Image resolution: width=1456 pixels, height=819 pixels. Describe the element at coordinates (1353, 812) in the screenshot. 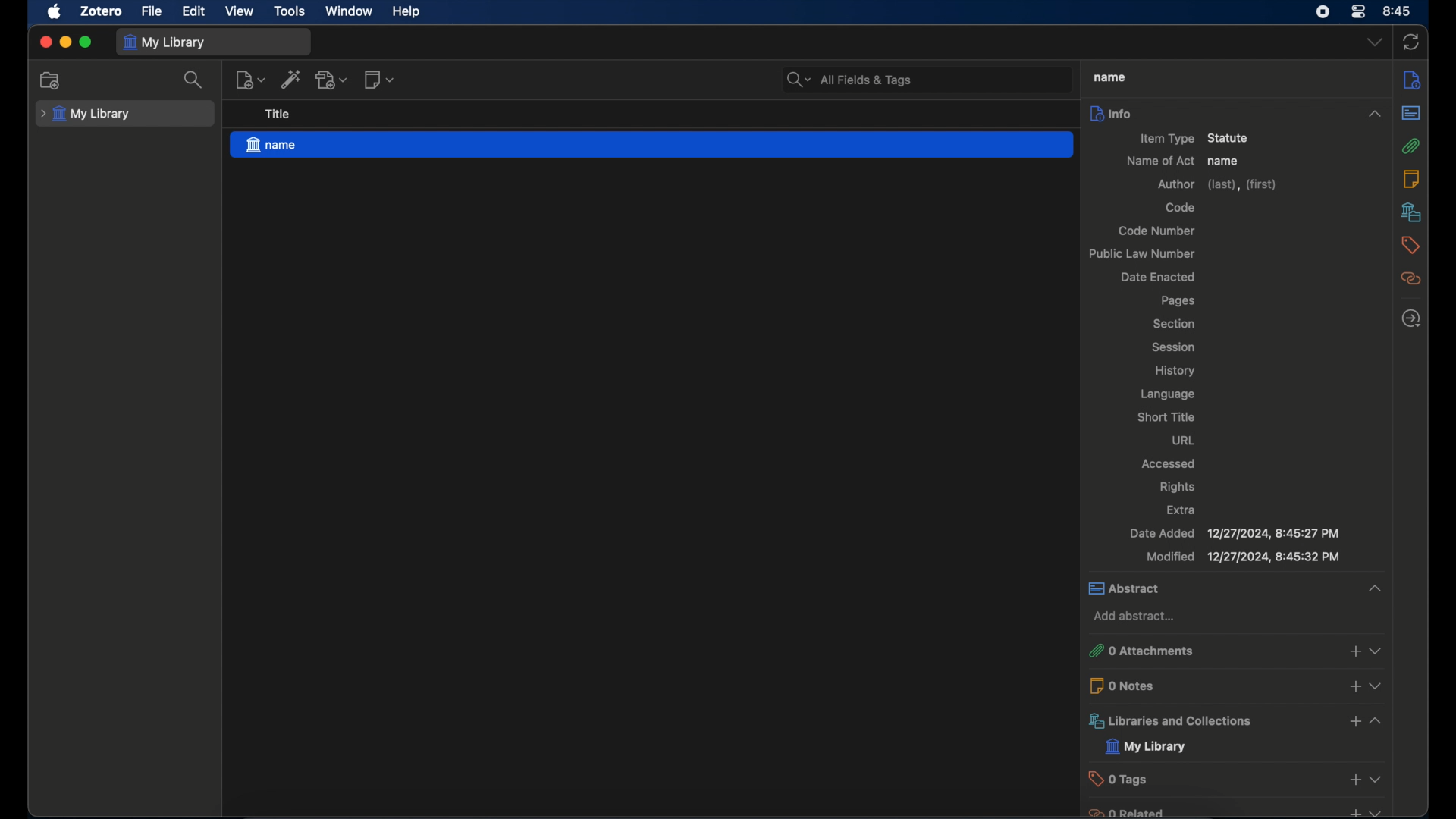

I see `add related` at that location.